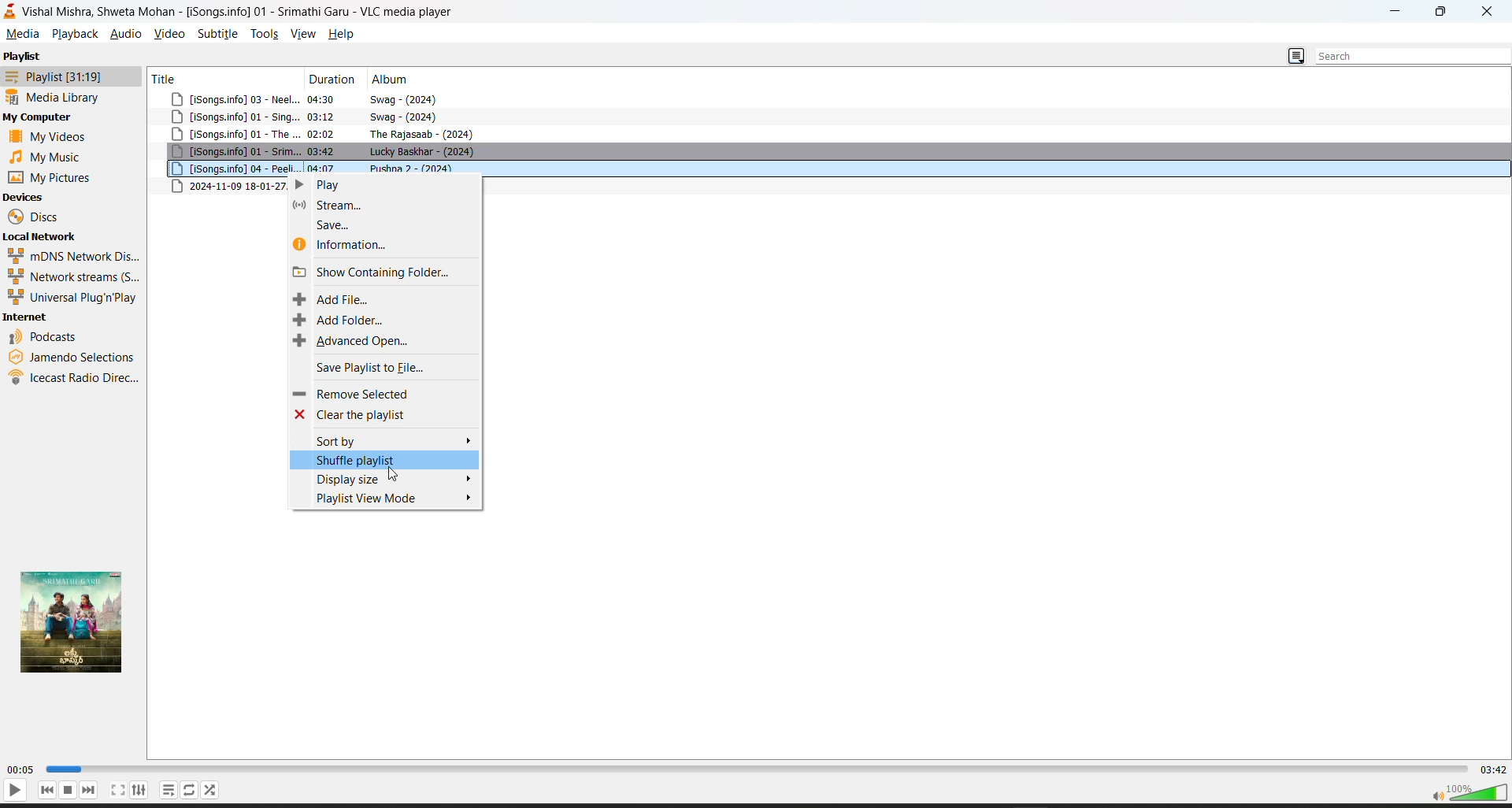 The height and width of the screenshot is (808, 1512). What do you see at coordinates (24, 196) in the screenshot?
I see `devices` at bounding box center [24, 196].